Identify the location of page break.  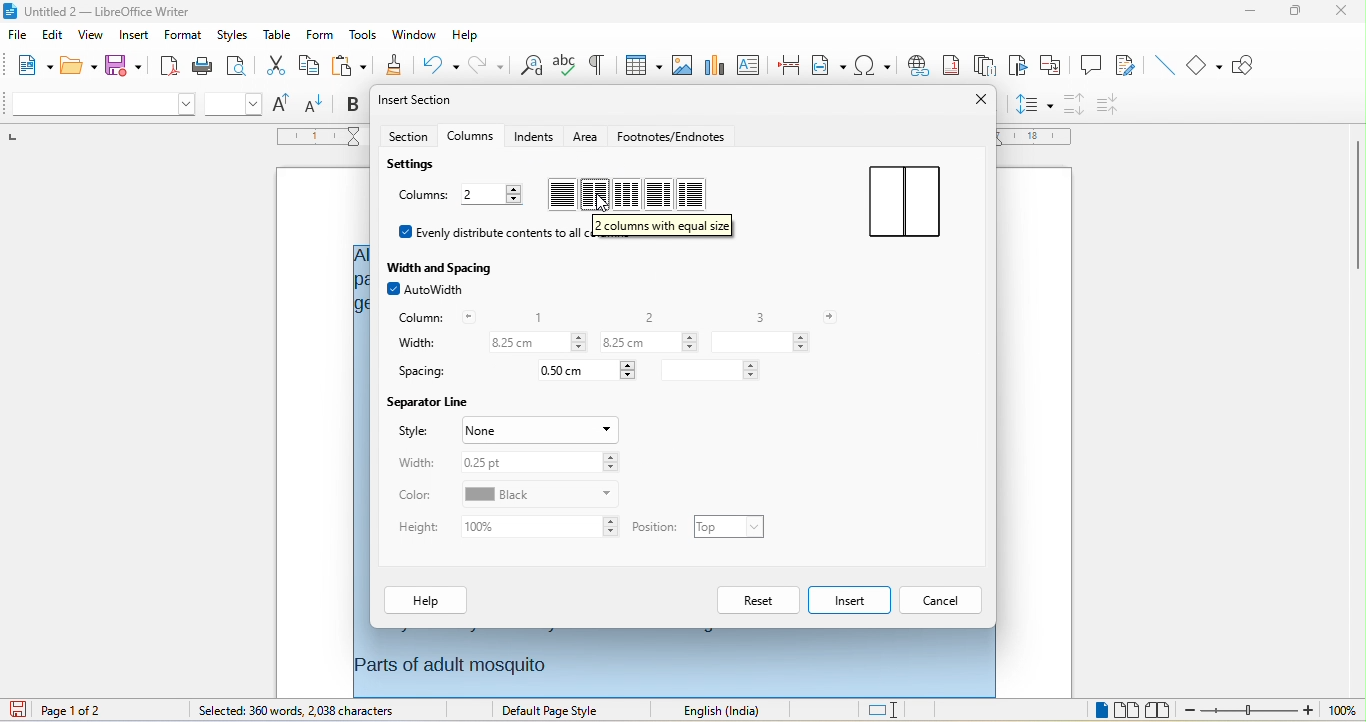
(787, 63).